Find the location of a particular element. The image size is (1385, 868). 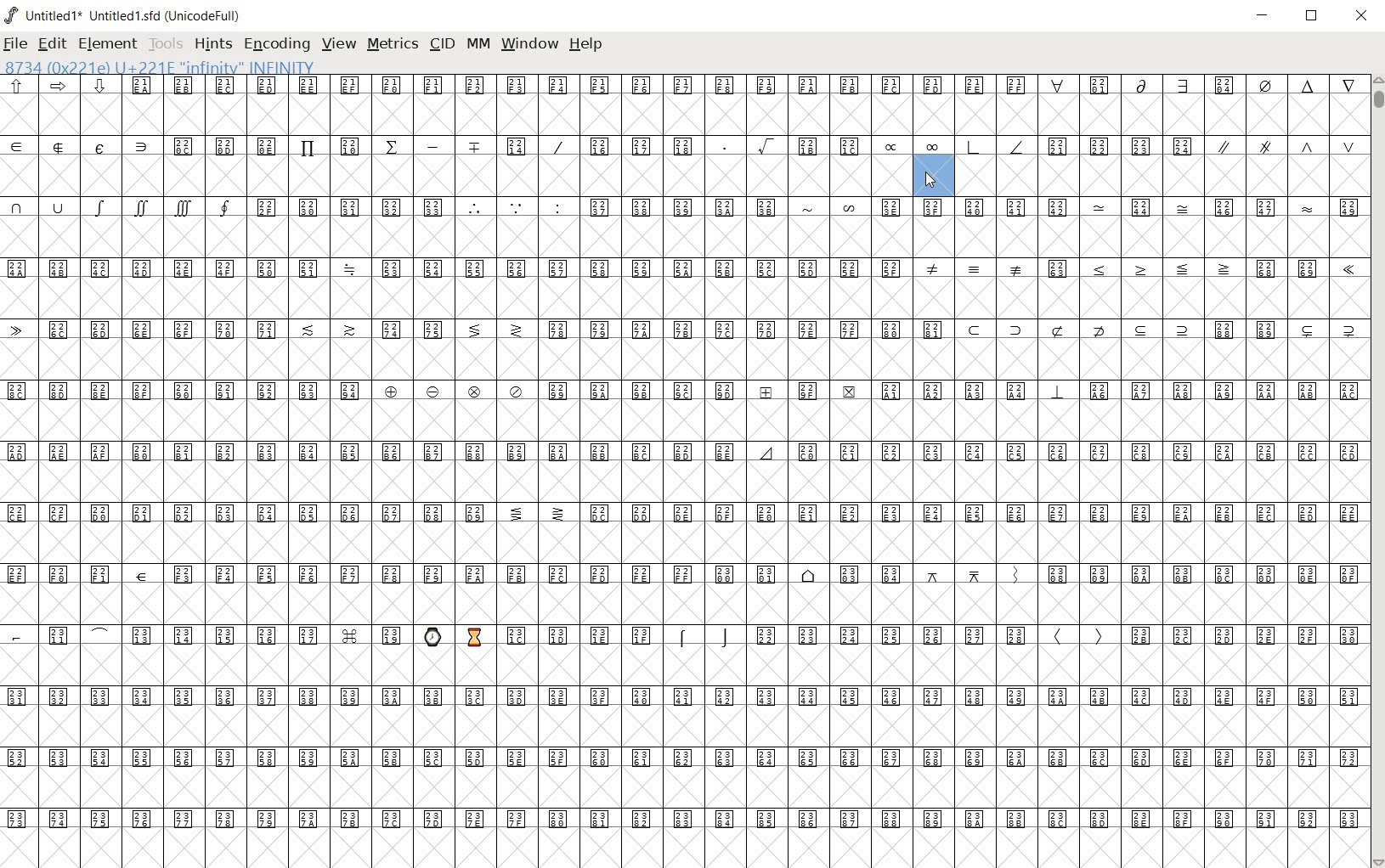

Unicode code points is located at coordinates (680, 514).